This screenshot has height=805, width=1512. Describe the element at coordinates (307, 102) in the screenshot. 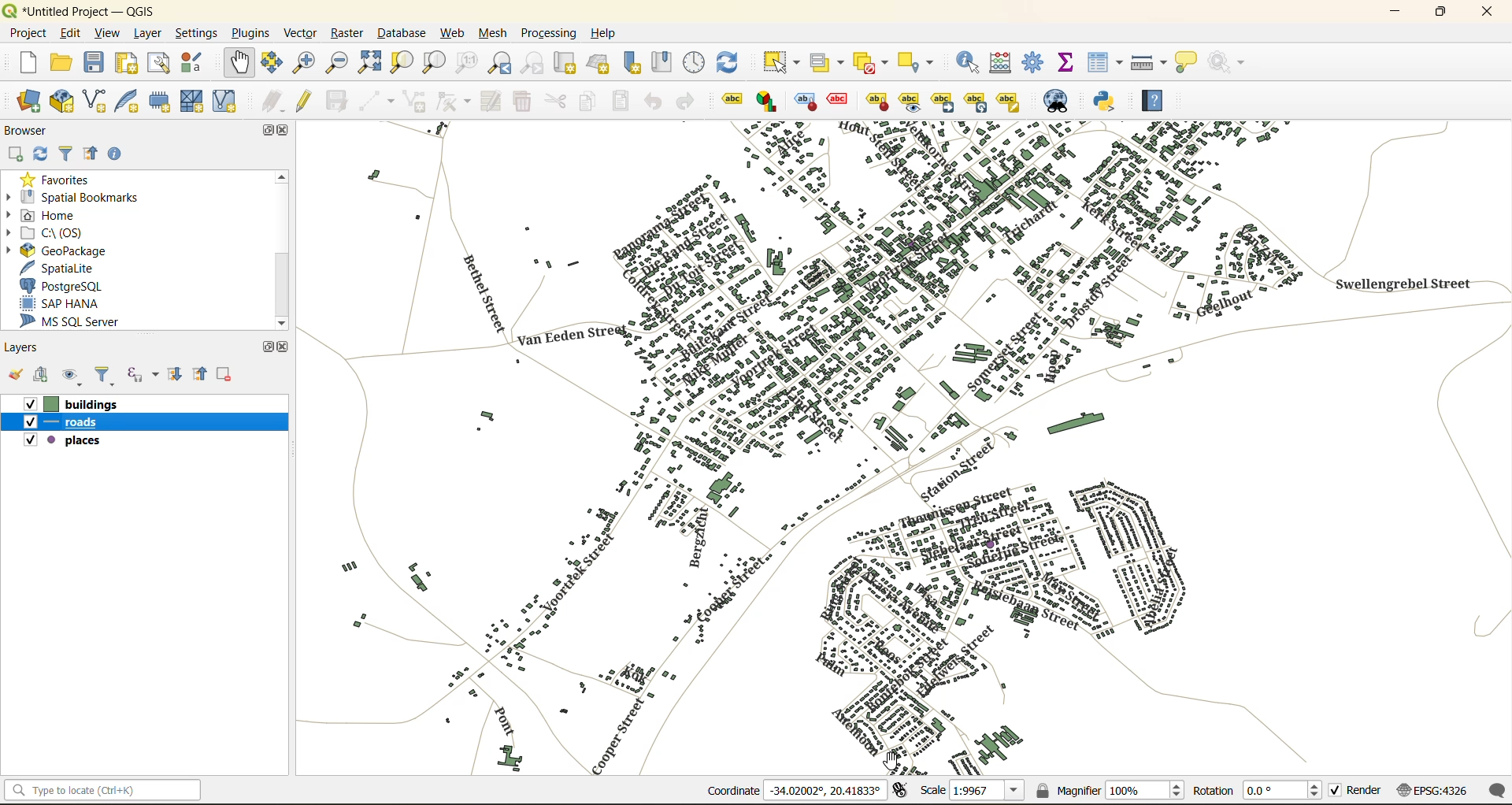

I see `toggle edits` at that location.